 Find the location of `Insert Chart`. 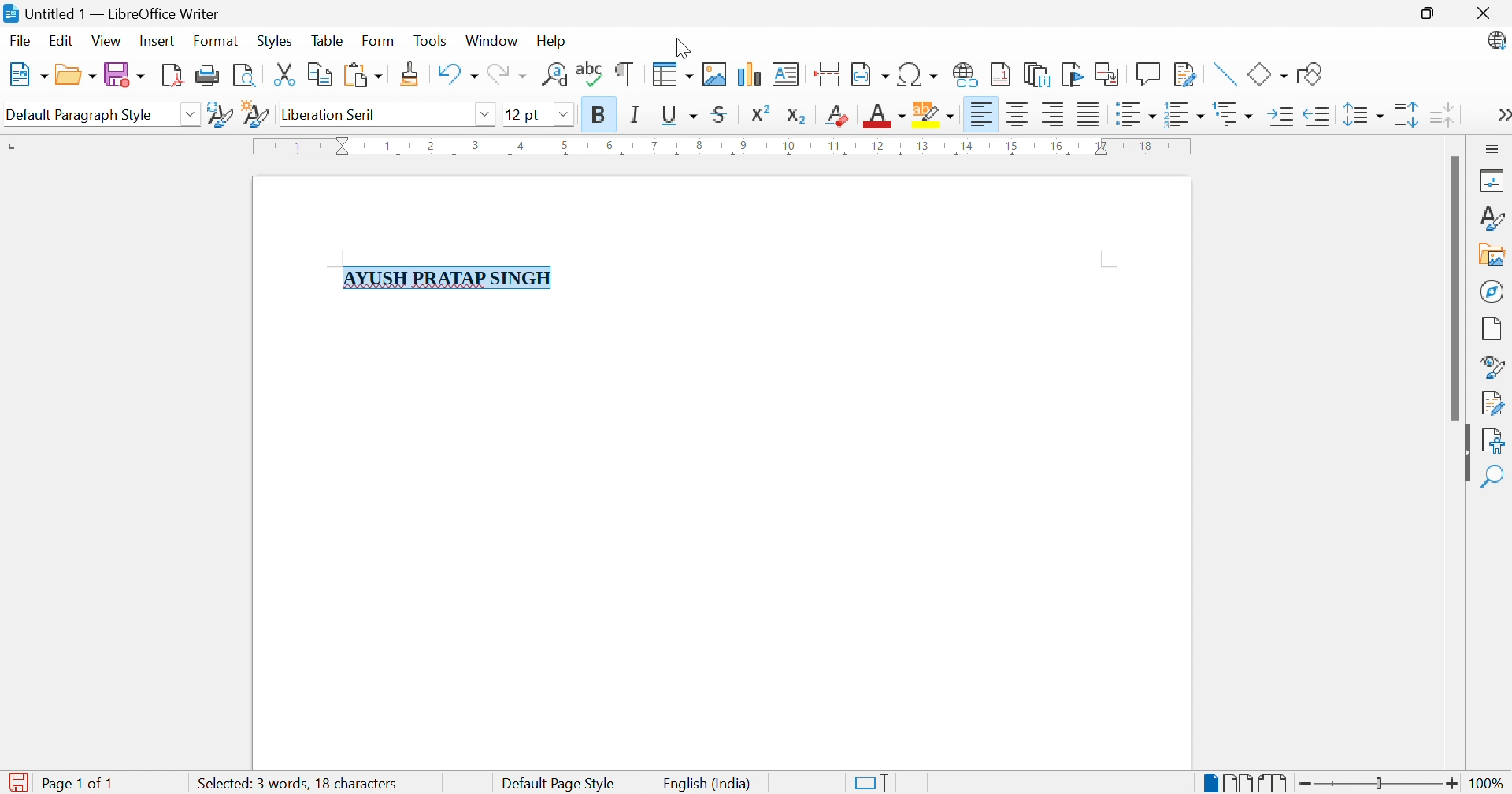

Insert Chart is located at coordinates (749, 74).